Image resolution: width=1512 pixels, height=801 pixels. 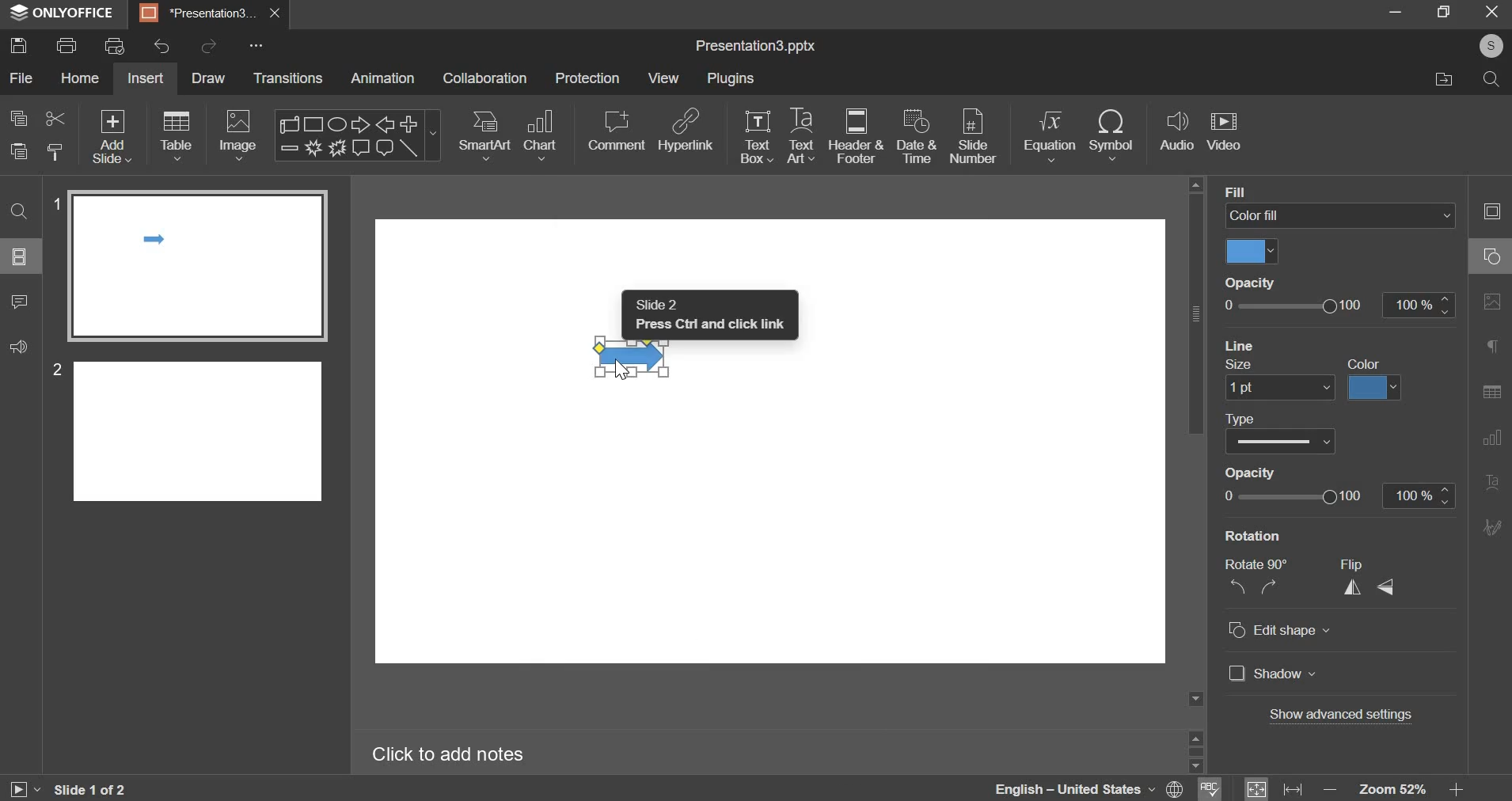 I want to click on exit, so click(x=1494, y=12).